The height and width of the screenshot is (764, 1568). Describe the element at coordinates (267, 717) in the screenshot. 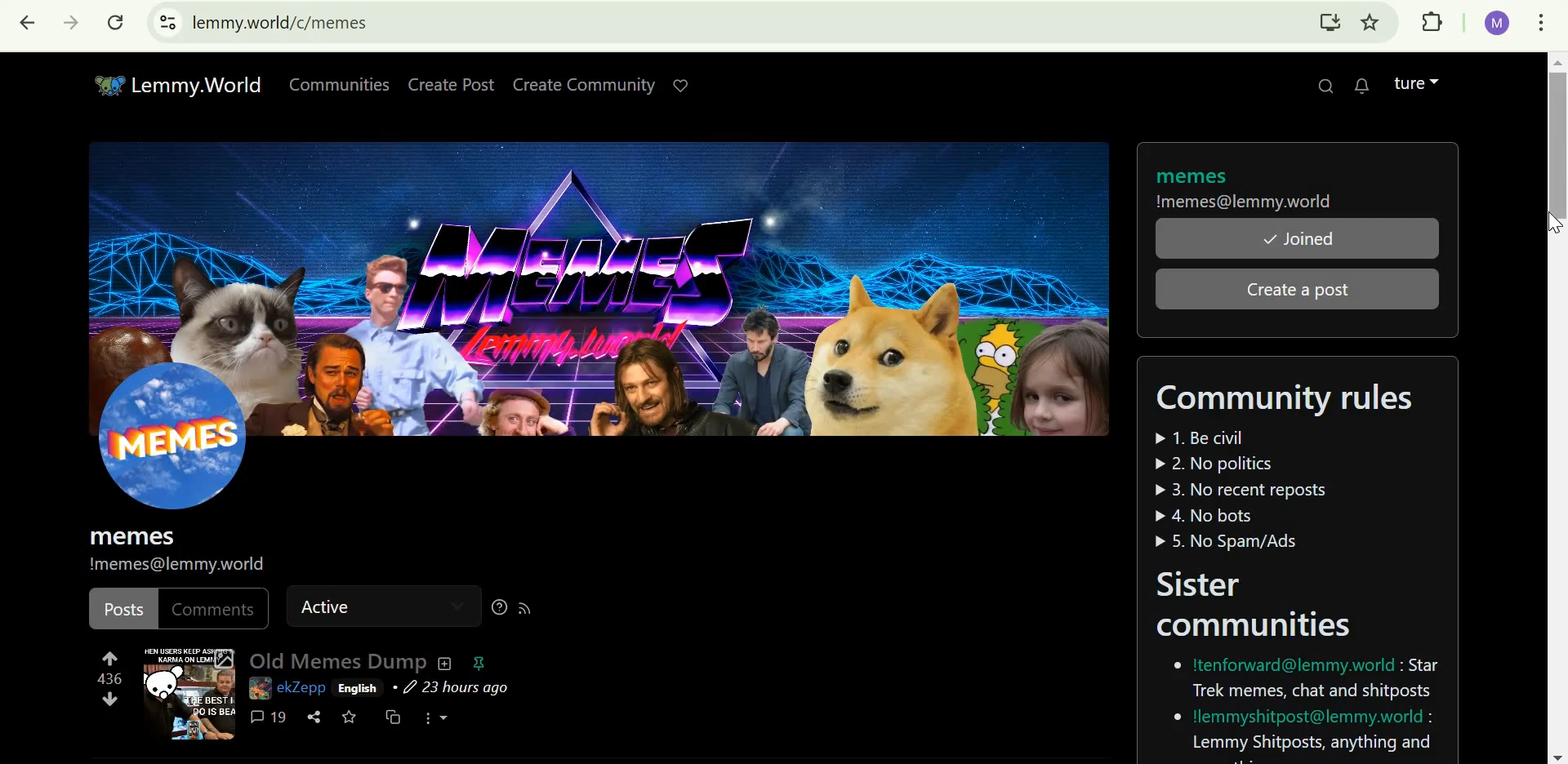

I see `19 comments` at that location.